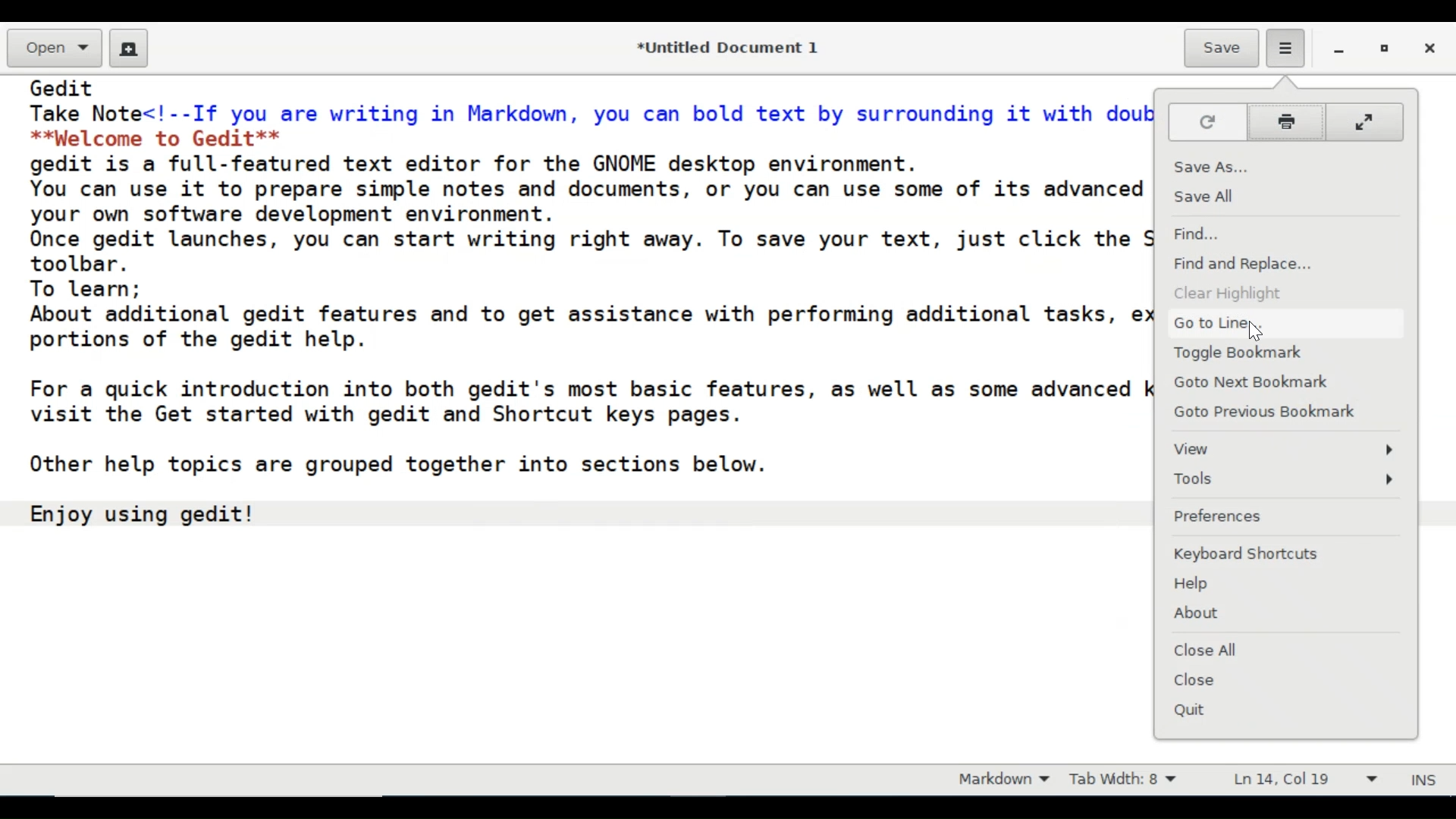 Image resolution: width=1456 pixels, height=819 pixels. Describe the element at coordinates (1231, 167) in the screenshot. I see `Save As` at that location.